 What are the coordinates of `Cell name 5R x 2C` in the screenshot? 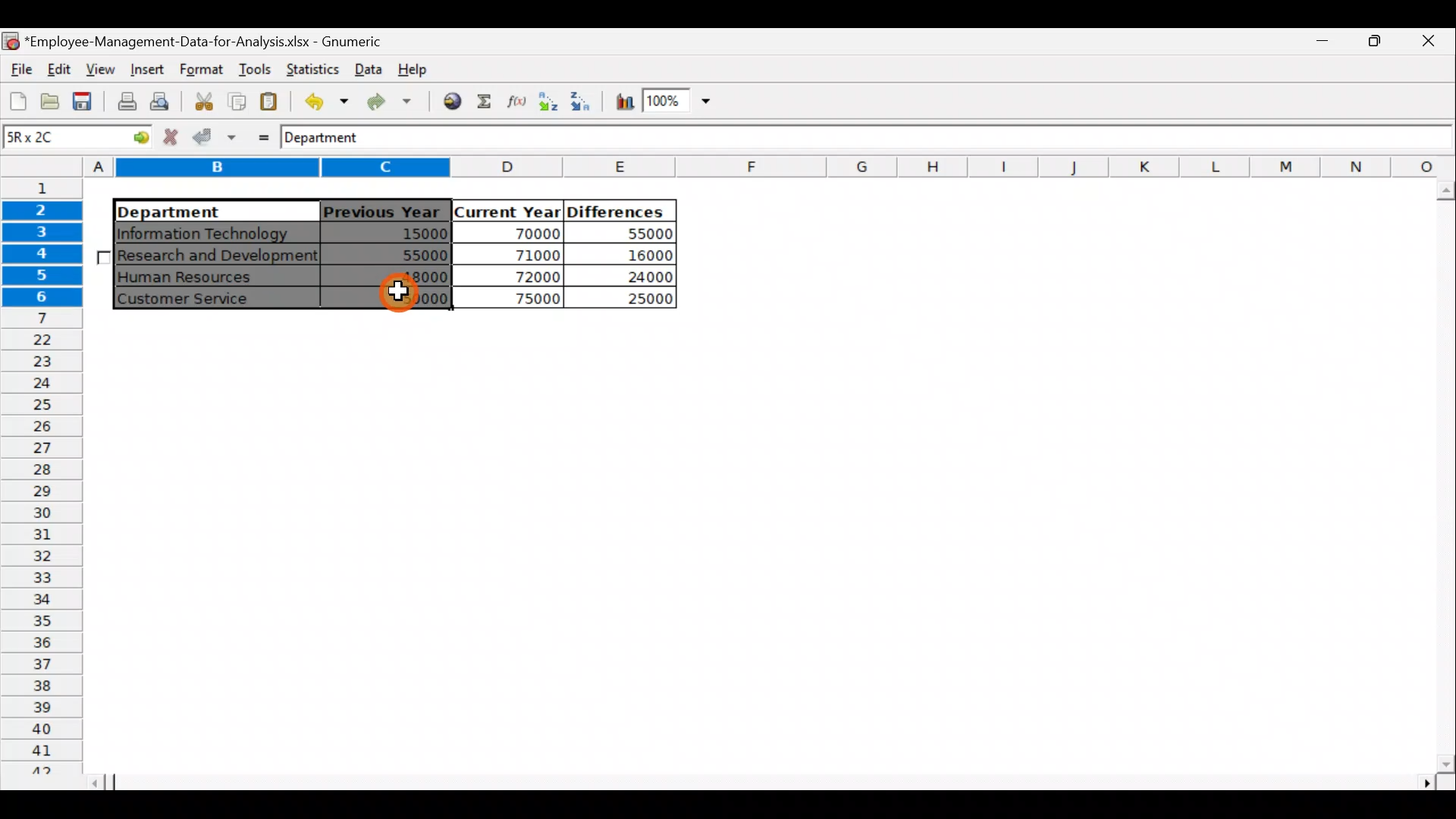 It's located at (51, 139).